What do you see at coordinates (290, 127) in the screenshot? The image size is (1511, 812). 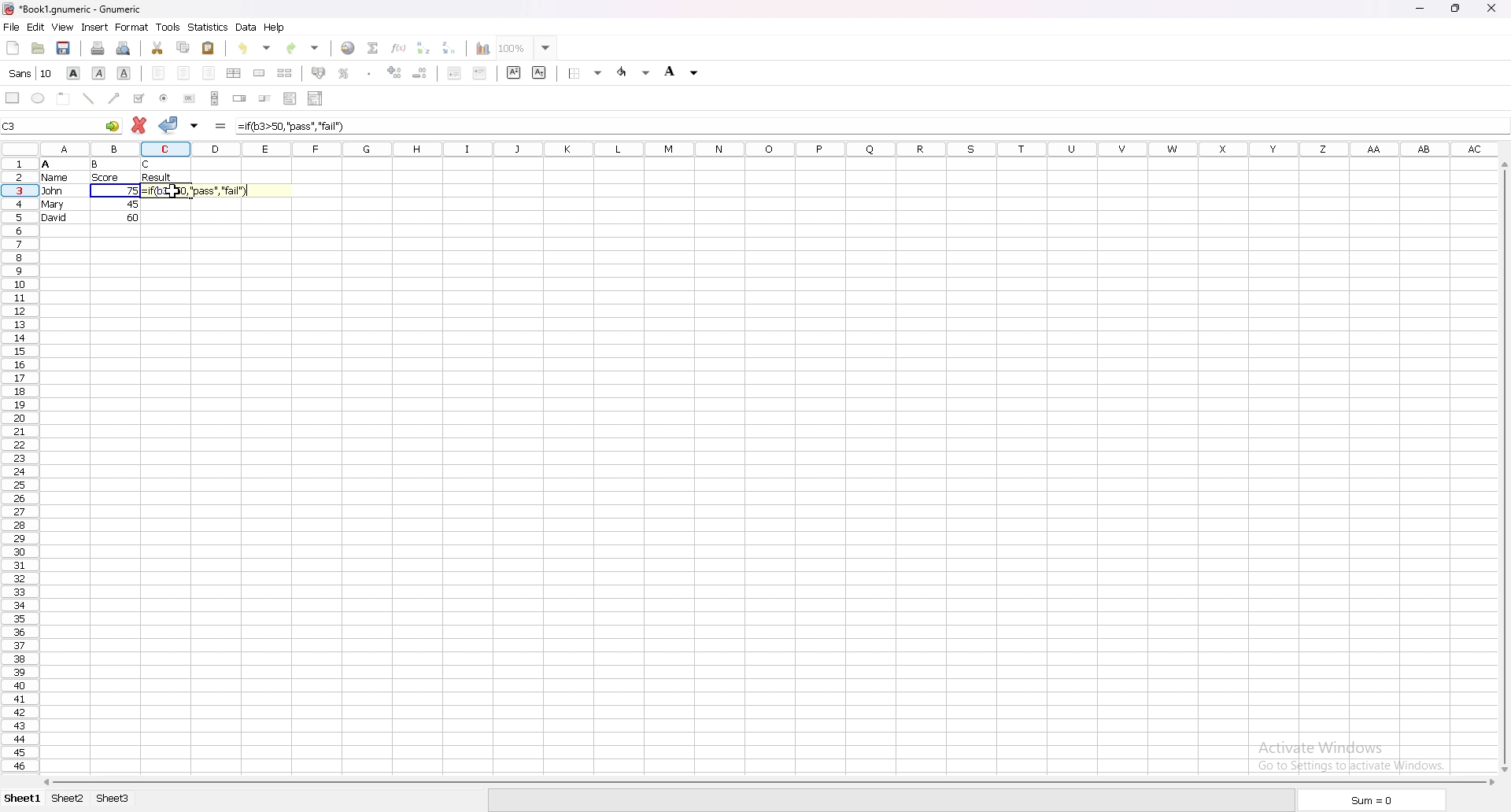 I see `=if(B3>50,"pass","fall")` at bounding box center [290, 127].